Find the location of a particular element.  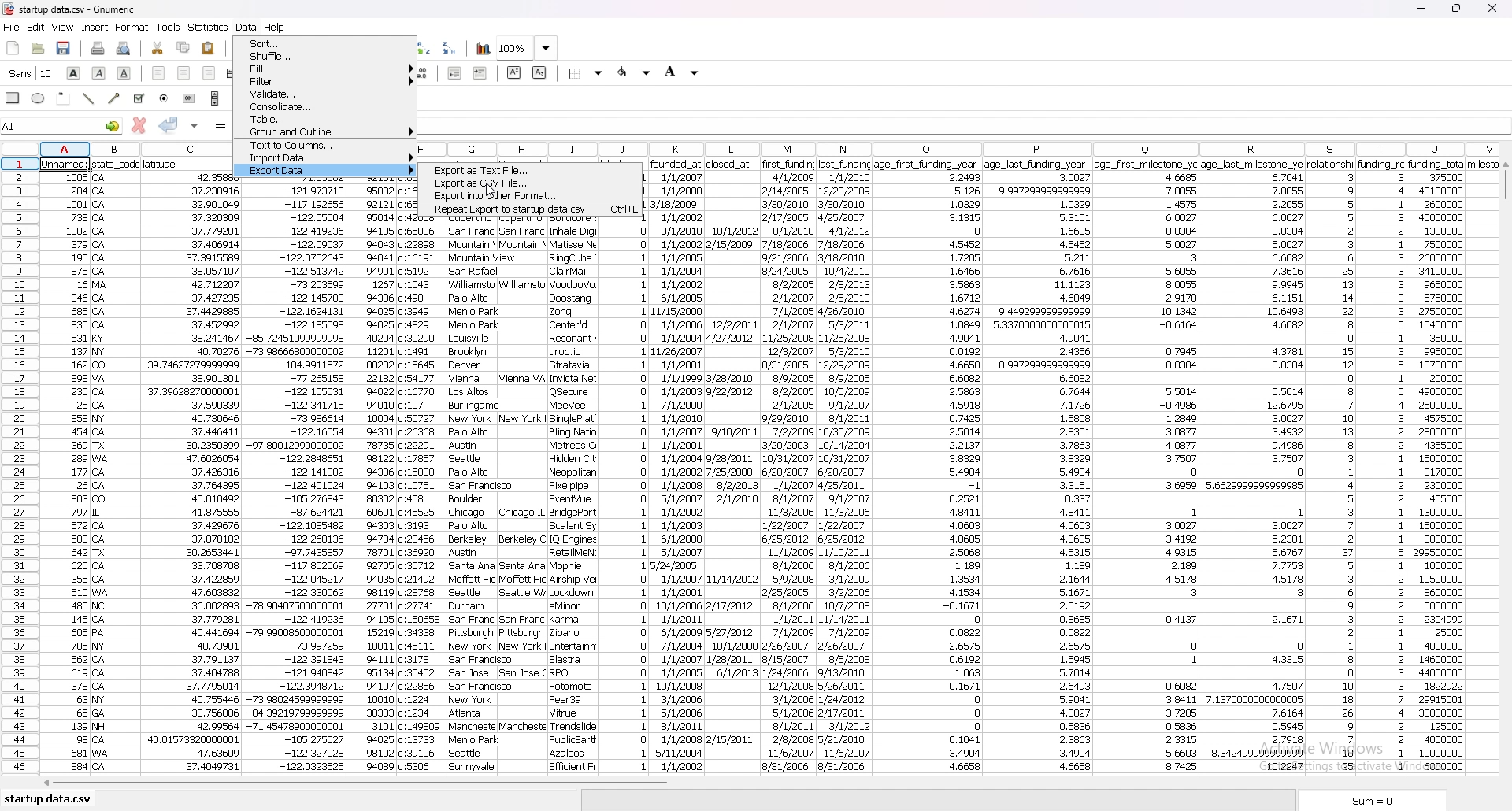

cursor is located at coordinates (491, 190).